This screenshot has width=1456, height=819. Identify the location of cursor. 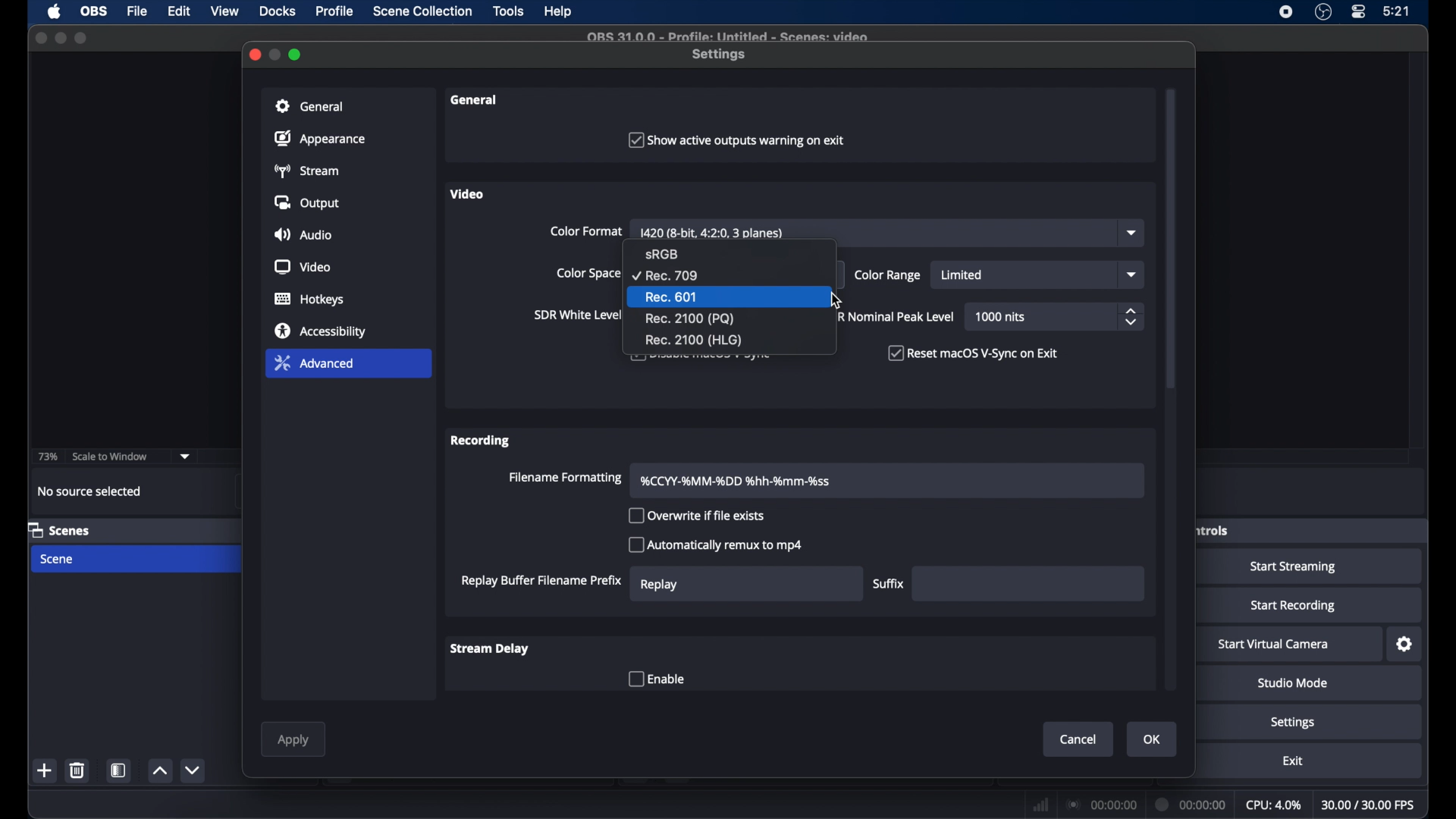
(834, 301).